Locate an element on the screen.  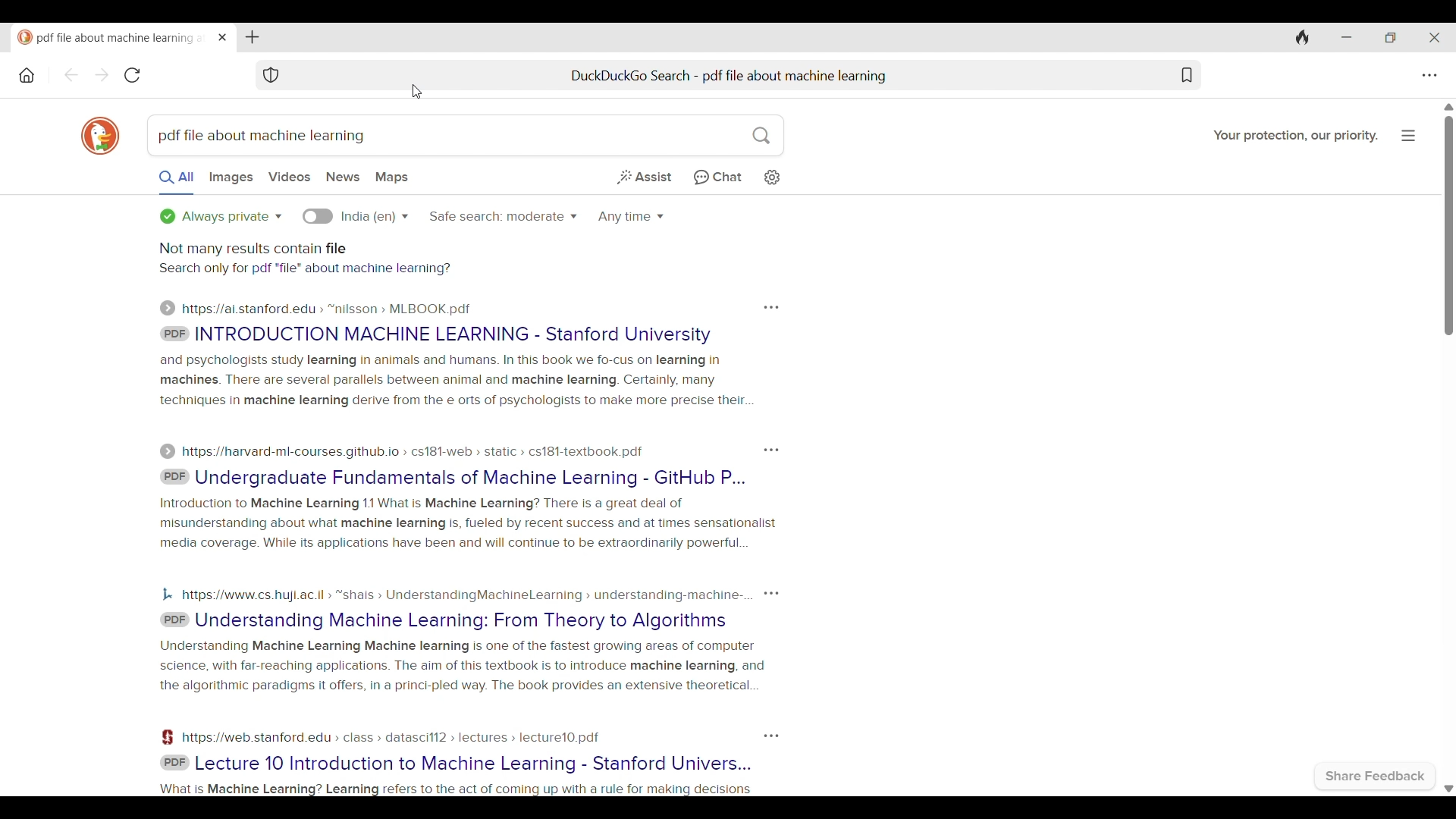
Feedback loop of respective result is located at coordinates (771, 450).